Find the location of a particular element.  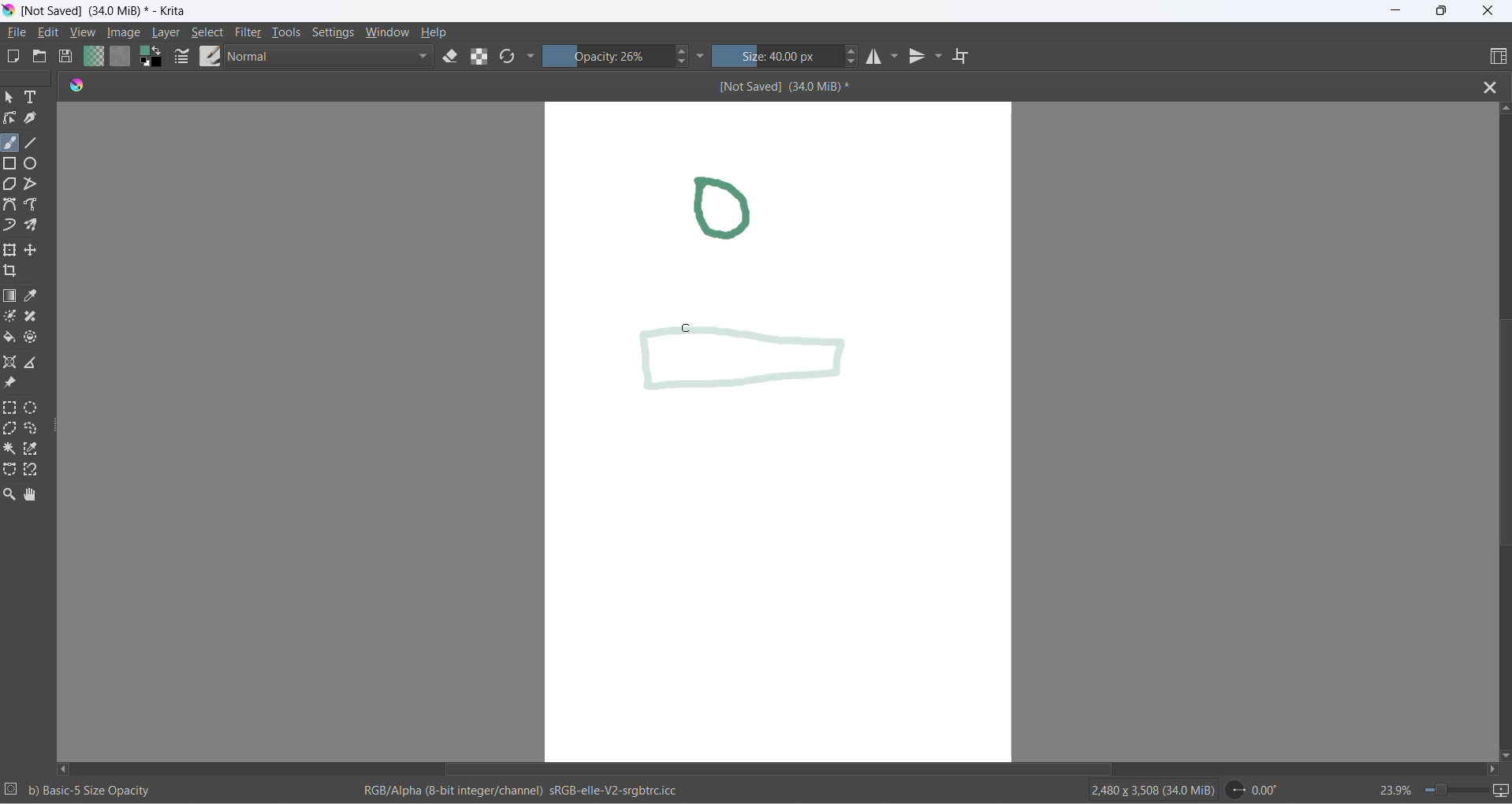

move a layer is located at coordinates (35, 248).